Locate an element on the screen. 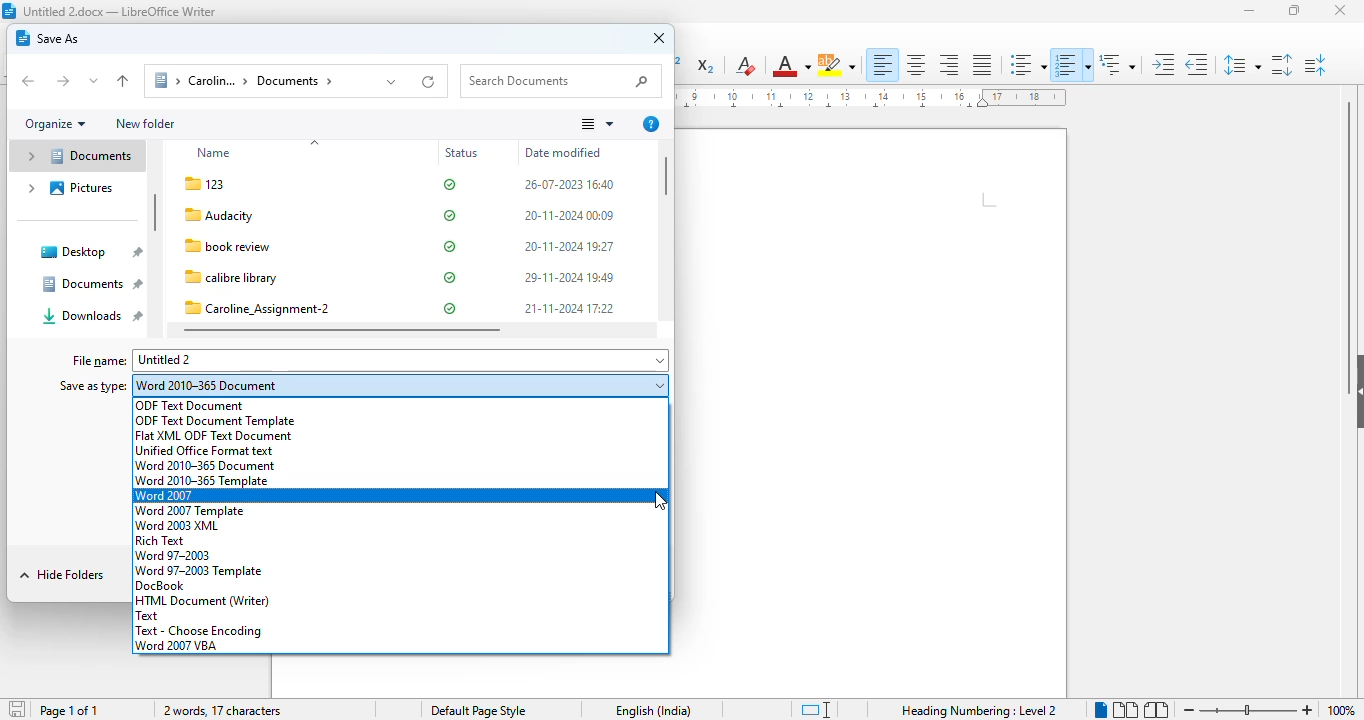 This screenshot has height=720, width=1364. heading numbering: level 2 is located at coordinates (978, 710).